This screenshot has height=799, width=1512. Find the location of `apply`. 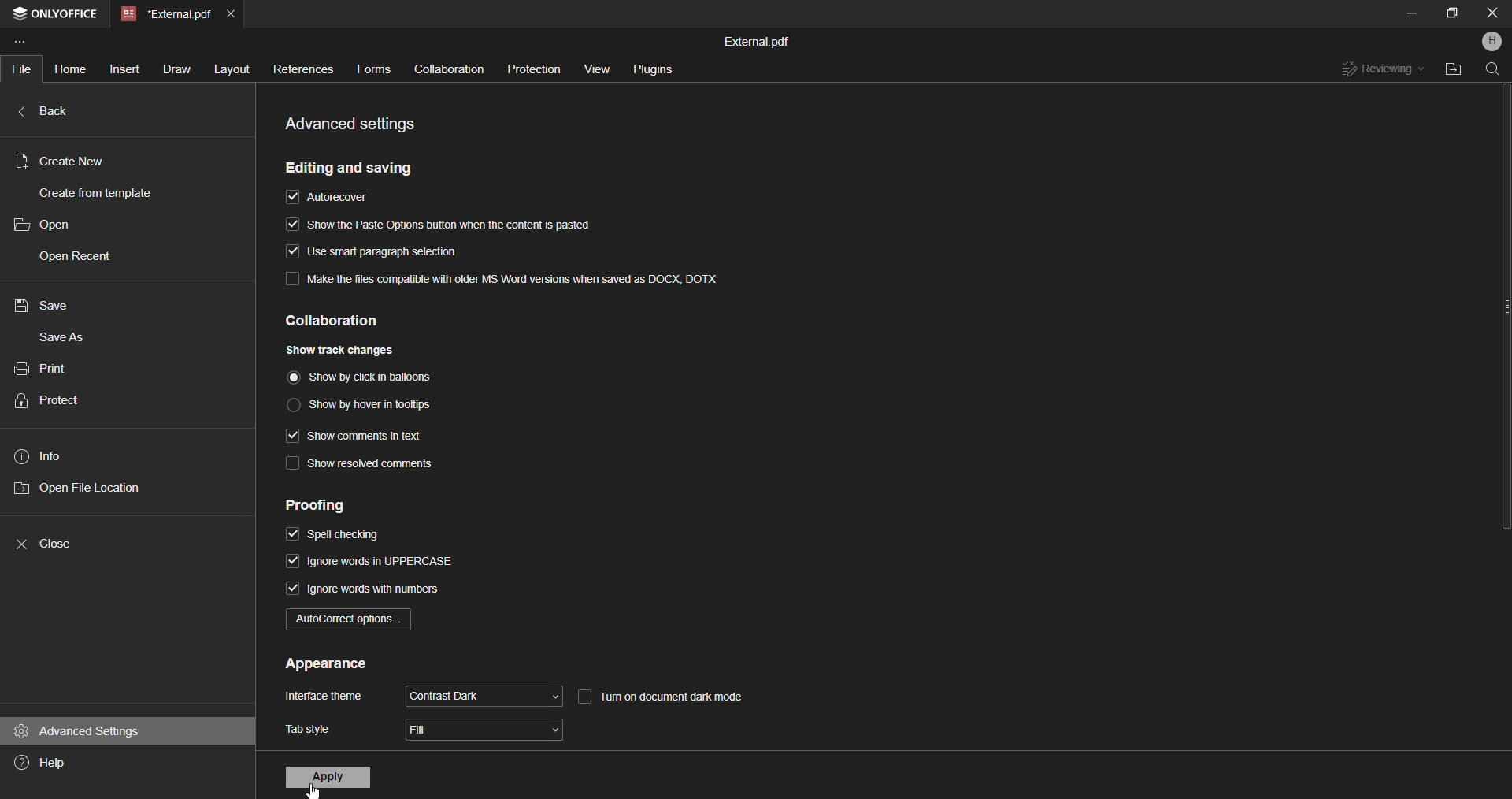

apply is located at coordinates (329, 778).